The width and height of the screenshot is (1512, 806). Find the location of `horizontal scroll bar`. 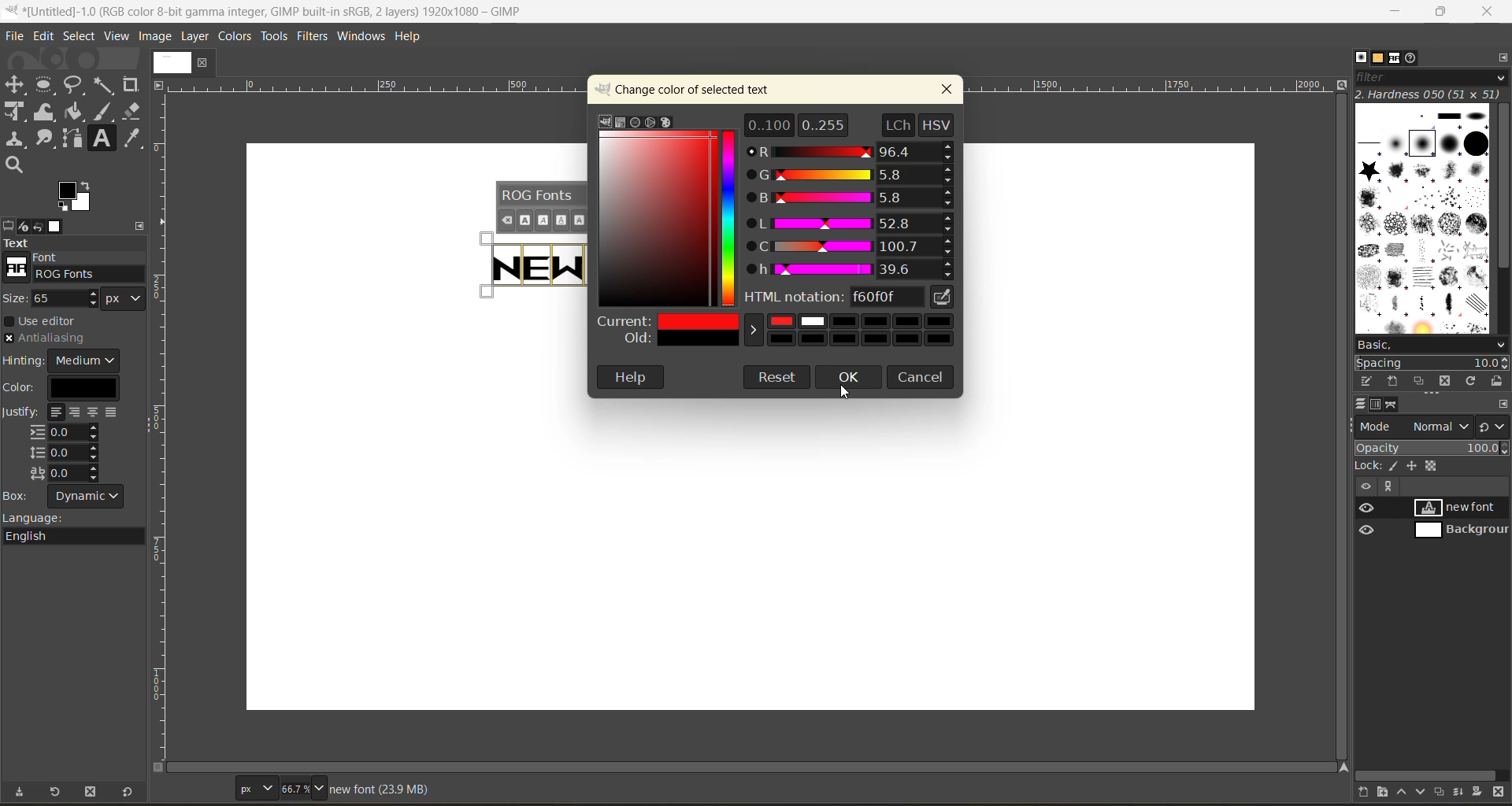

horizontal scroll bar is located at coordinates (754, 764).